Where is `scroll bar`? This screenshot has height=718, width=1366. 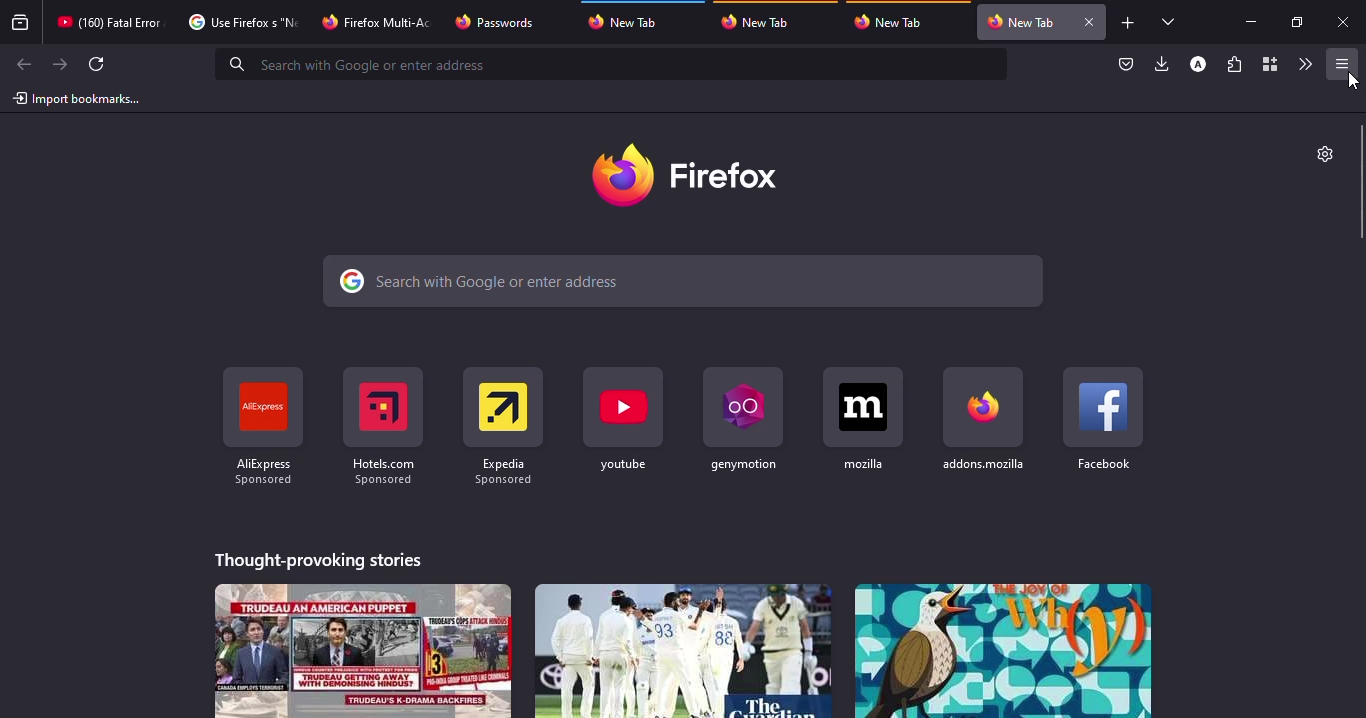
scroll bar is located at coordinates (1367, 183).